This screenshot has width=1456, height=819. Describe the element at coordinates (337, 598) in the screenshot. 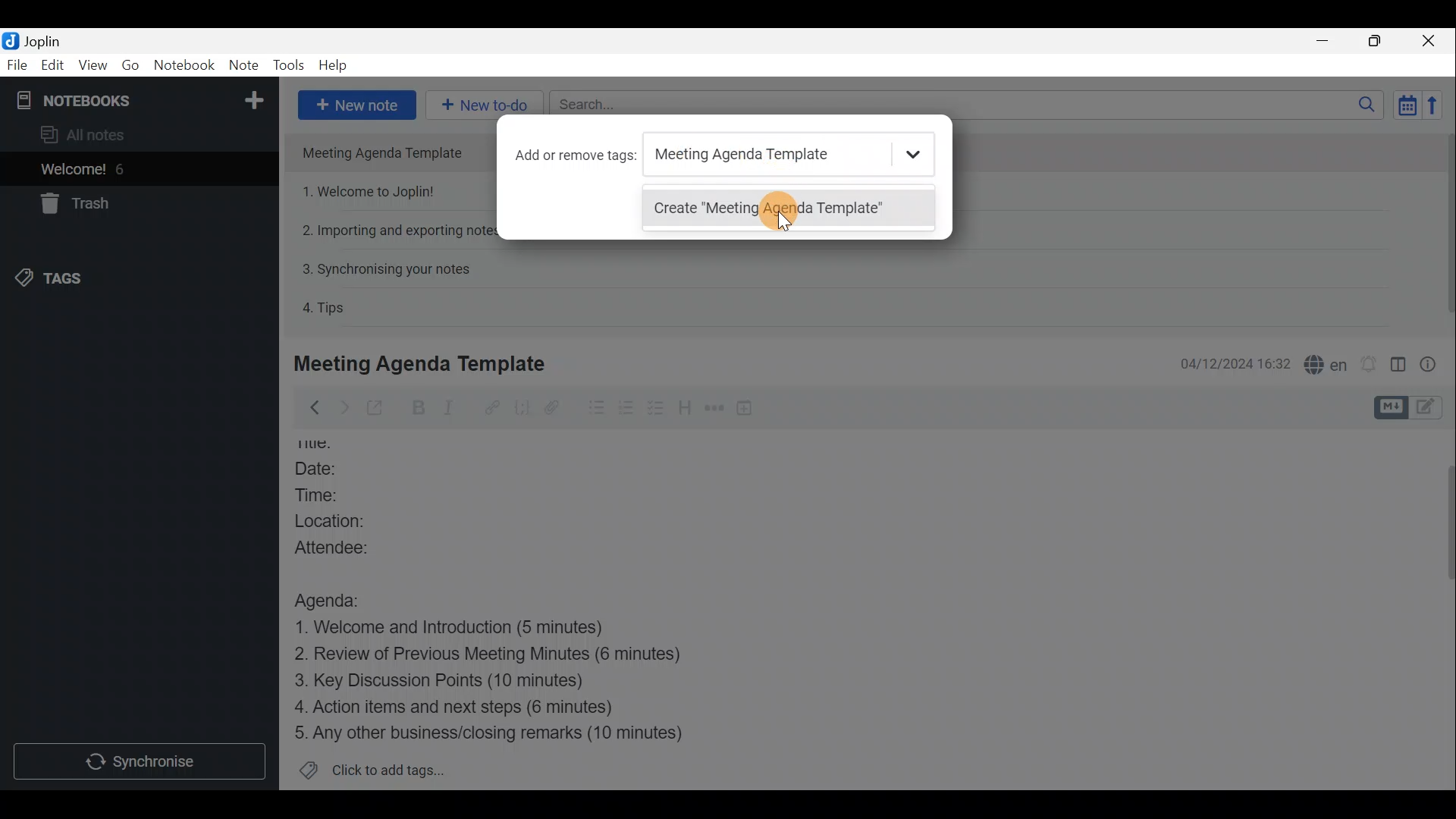

I see `Agenda:` at that location.